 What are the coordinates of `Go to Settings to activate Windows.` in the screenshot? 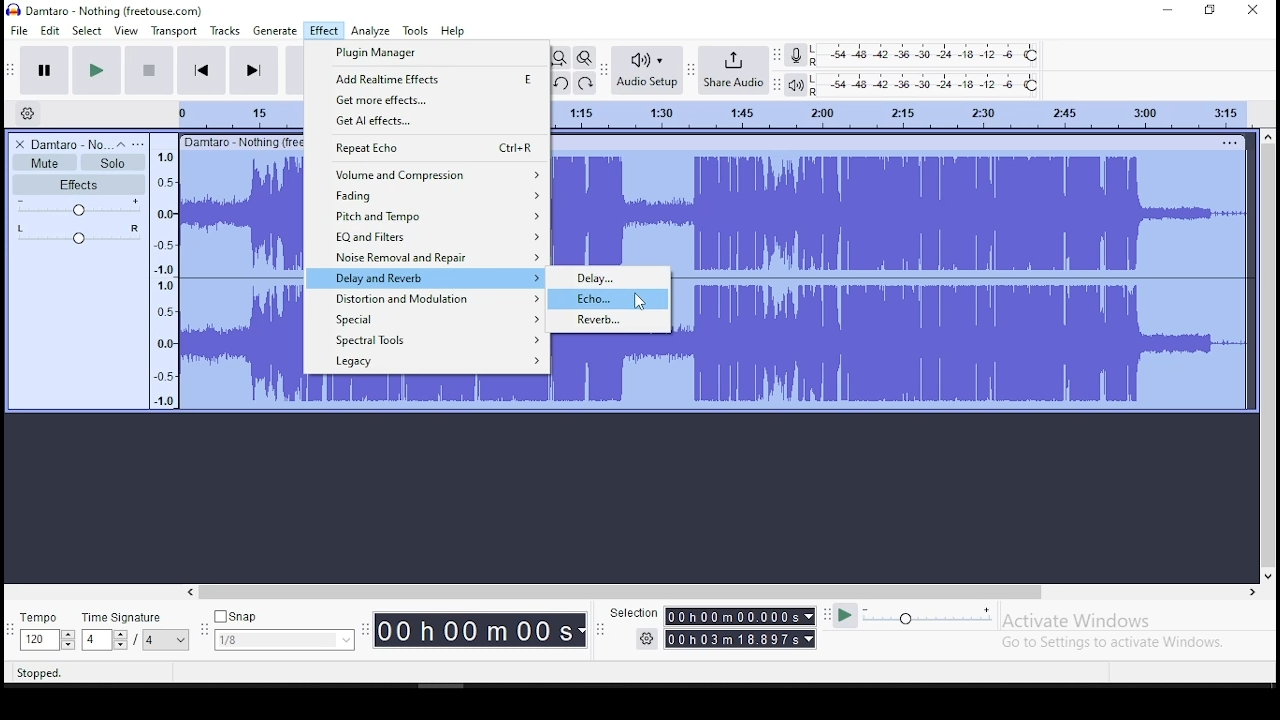 It's located at (1114, 644).